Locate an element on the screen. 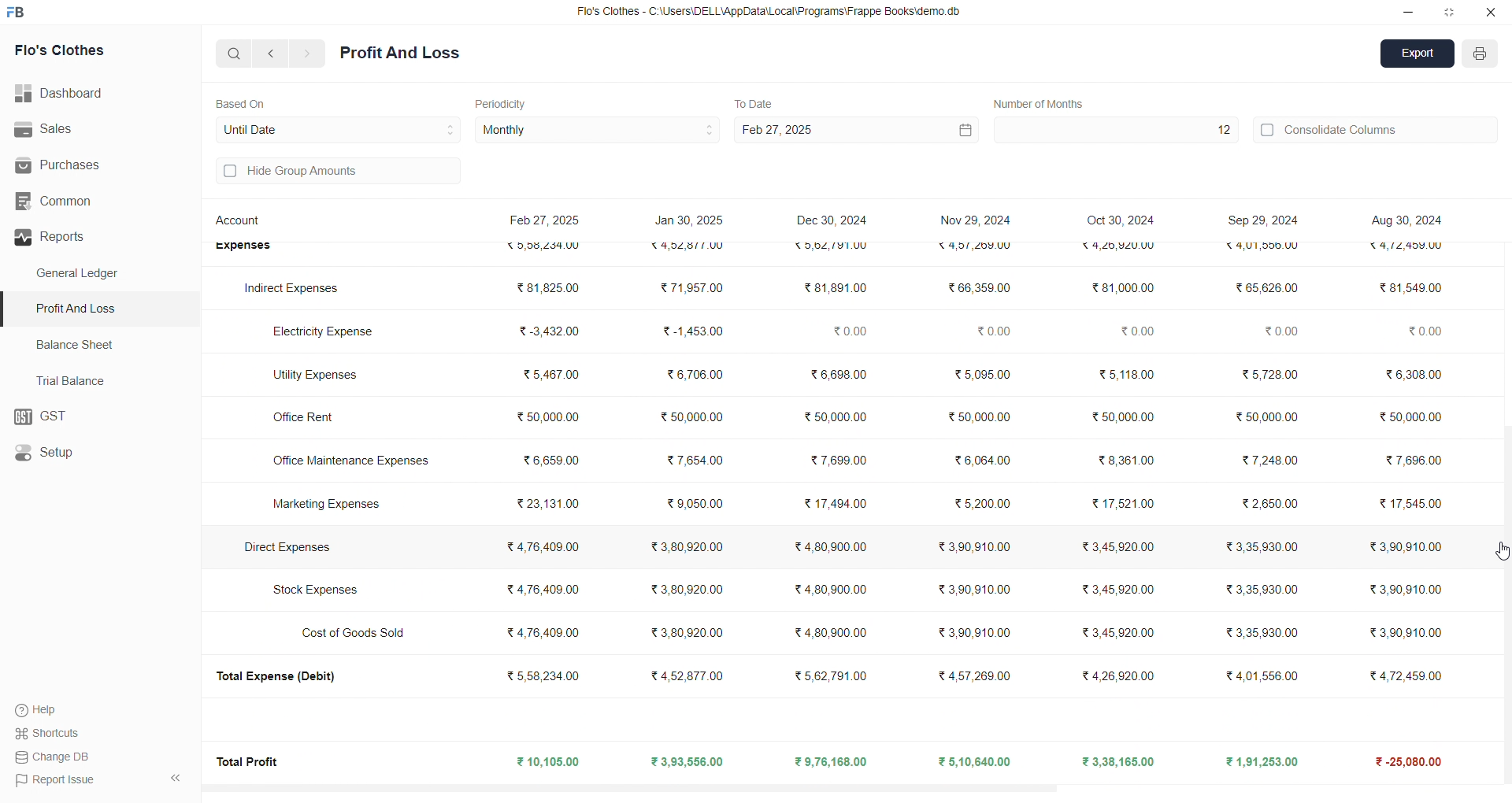  ₹ 4,01,556.00 is located at coordinates (1252, 675).